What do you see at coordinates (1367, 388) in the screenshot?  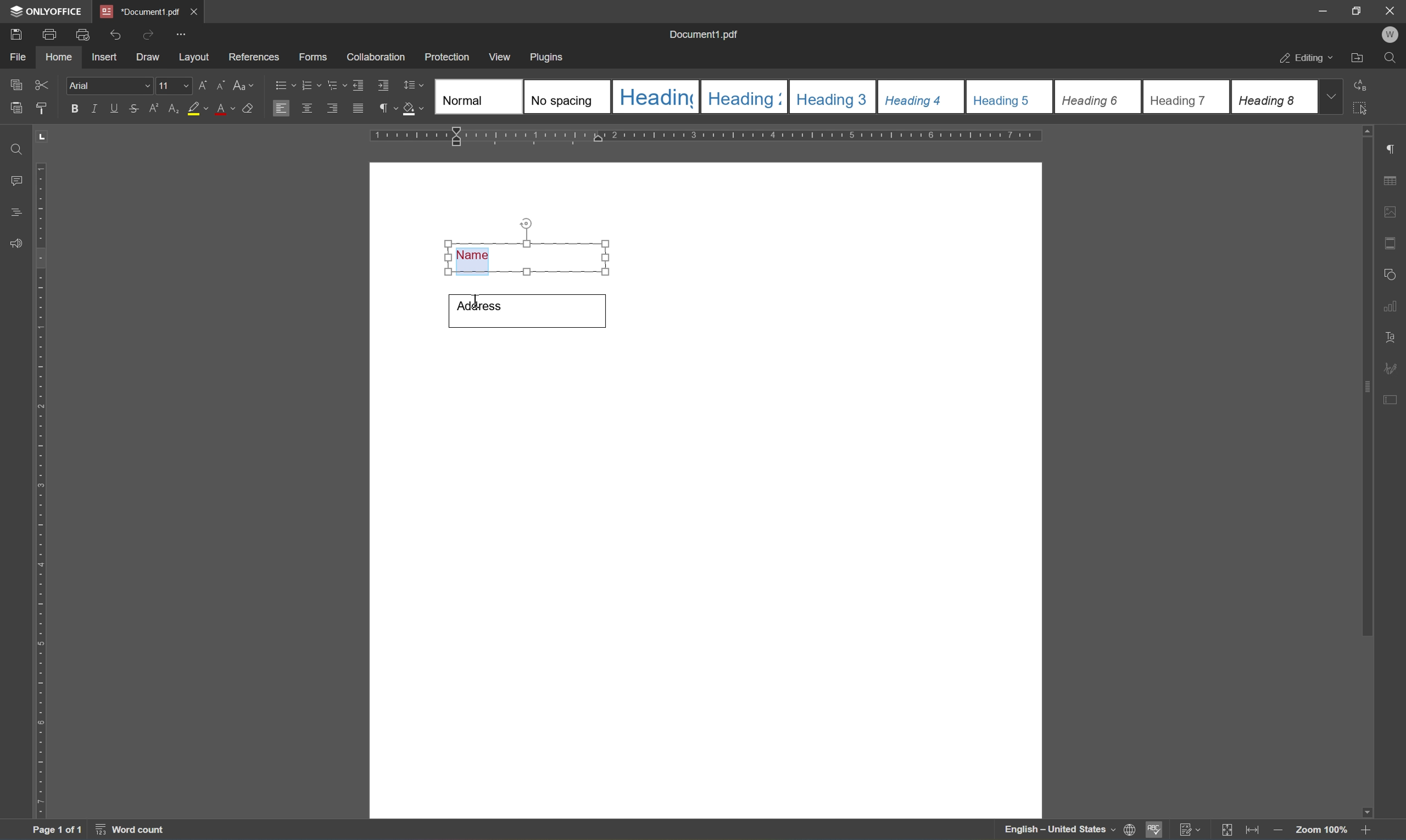 I see `scroll bar` at bounding box center [1367, 388].